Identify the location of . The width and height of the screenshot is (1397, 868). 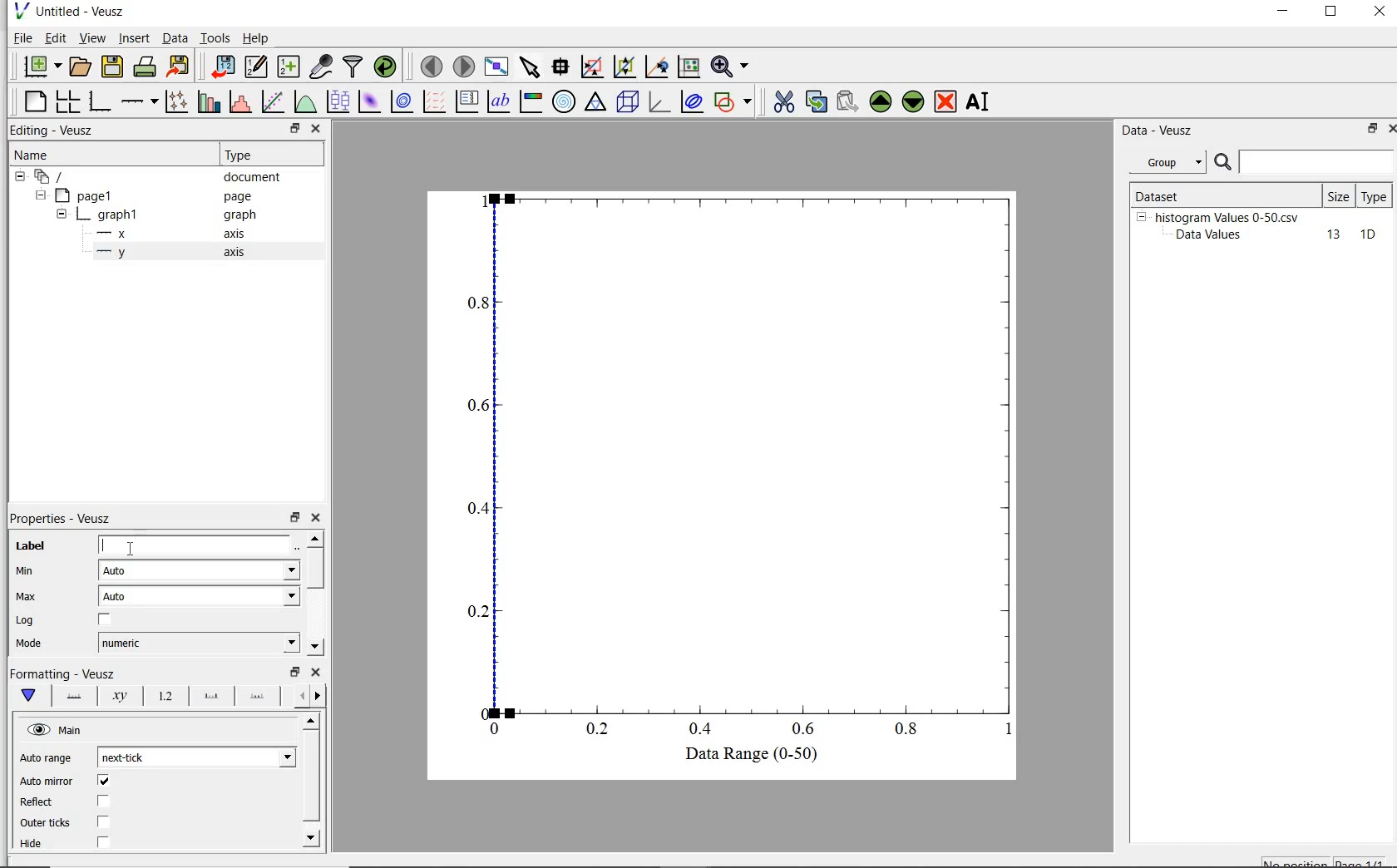
(241, 215).